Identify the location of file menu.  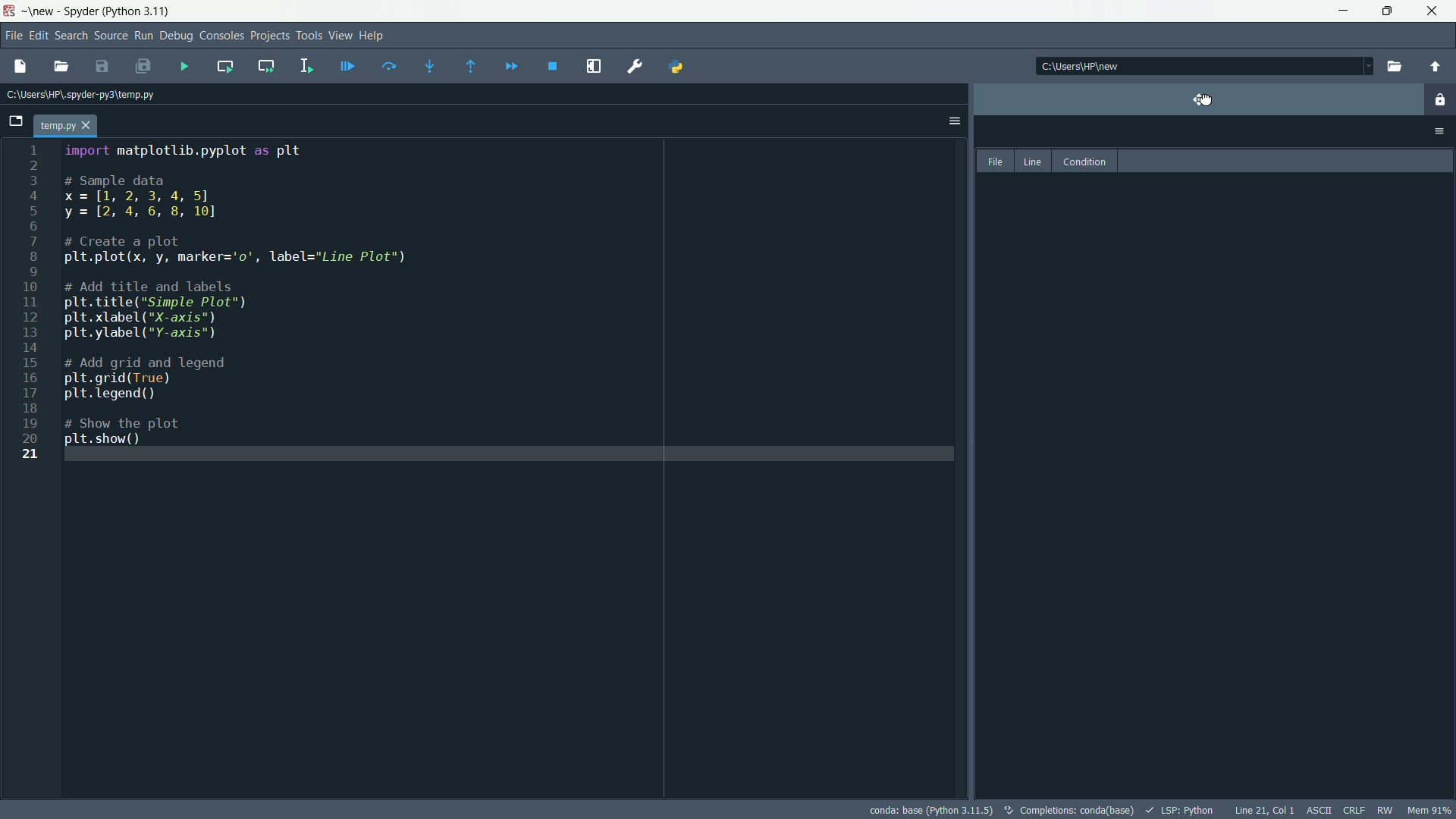
(12, 34).